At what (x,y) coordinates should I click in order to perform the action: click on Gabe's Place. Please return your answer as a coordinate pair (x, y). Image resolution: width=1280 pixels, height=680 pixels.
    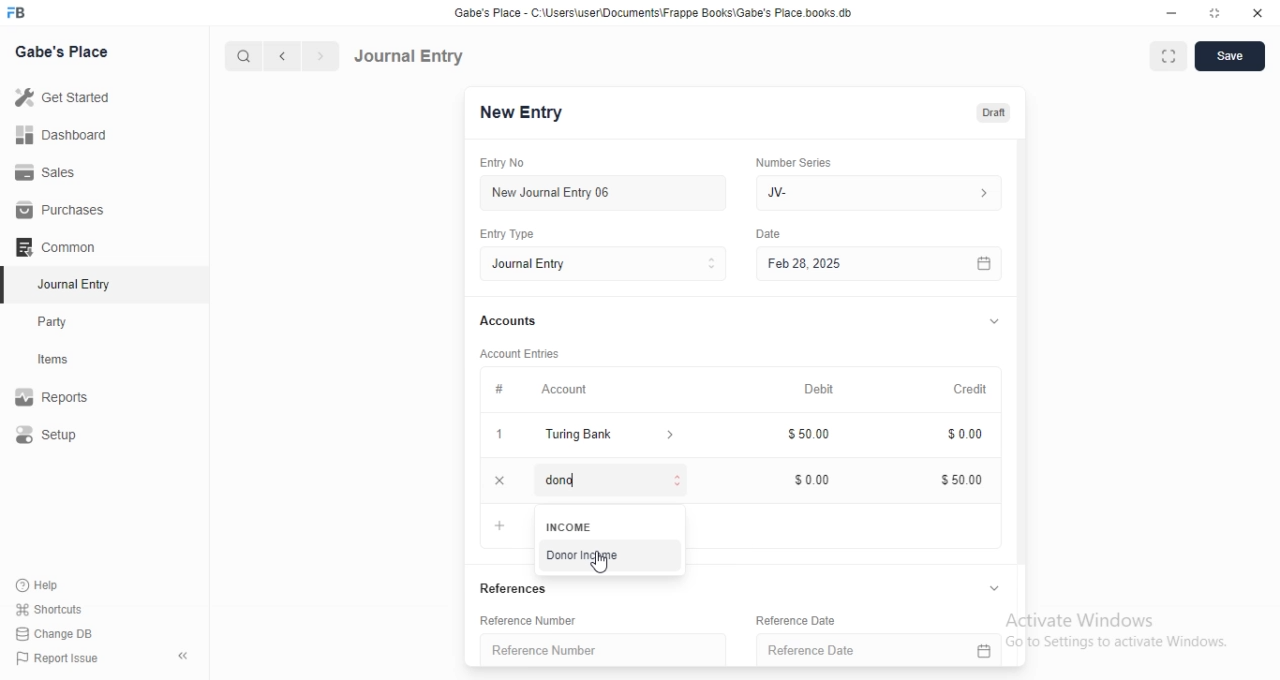
    Looking at the image, I should click on (62, 51).